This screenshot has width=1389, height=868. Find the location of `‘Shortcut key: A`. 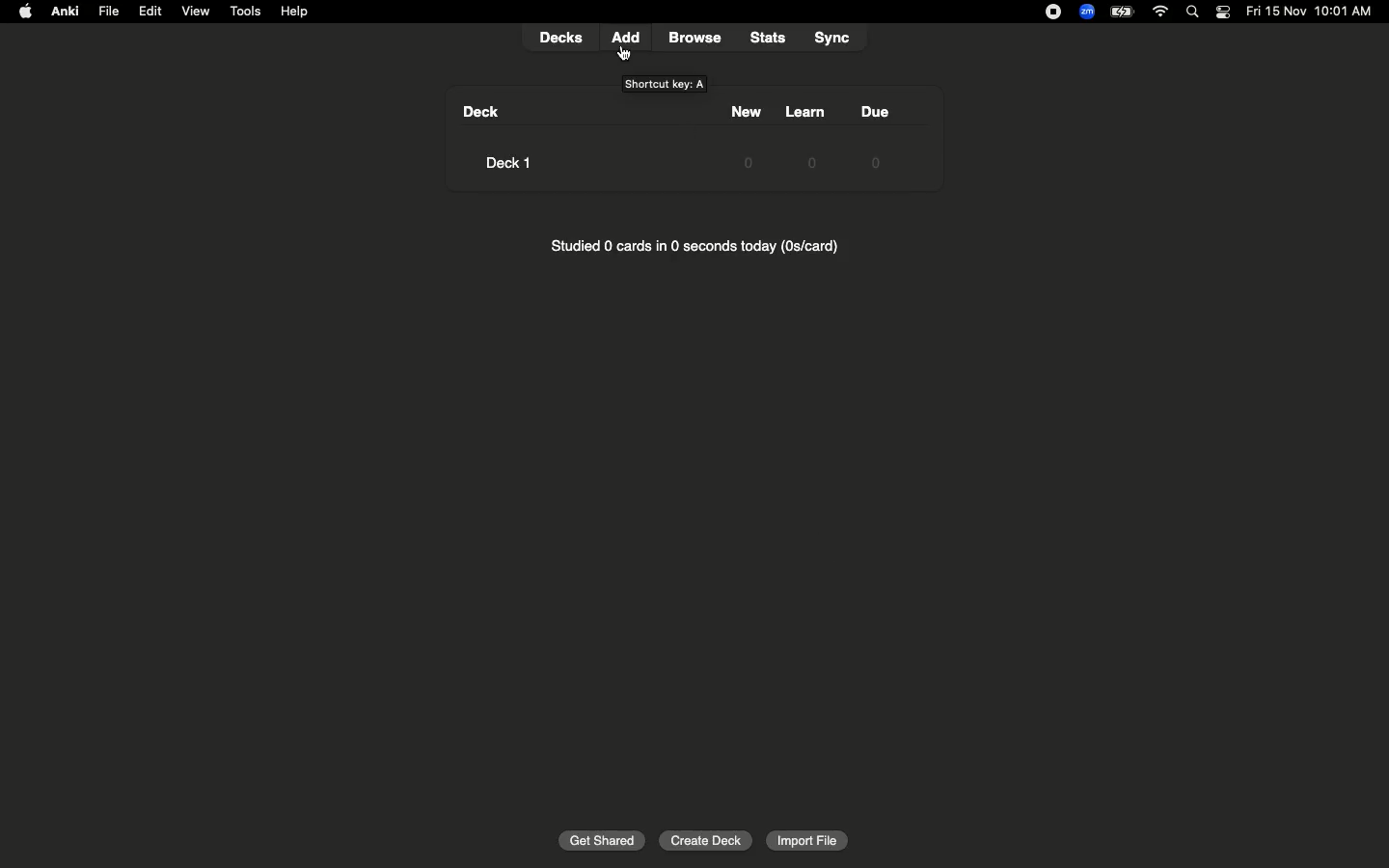

‘Shortcut key: A is located at coordinates (665, 83).